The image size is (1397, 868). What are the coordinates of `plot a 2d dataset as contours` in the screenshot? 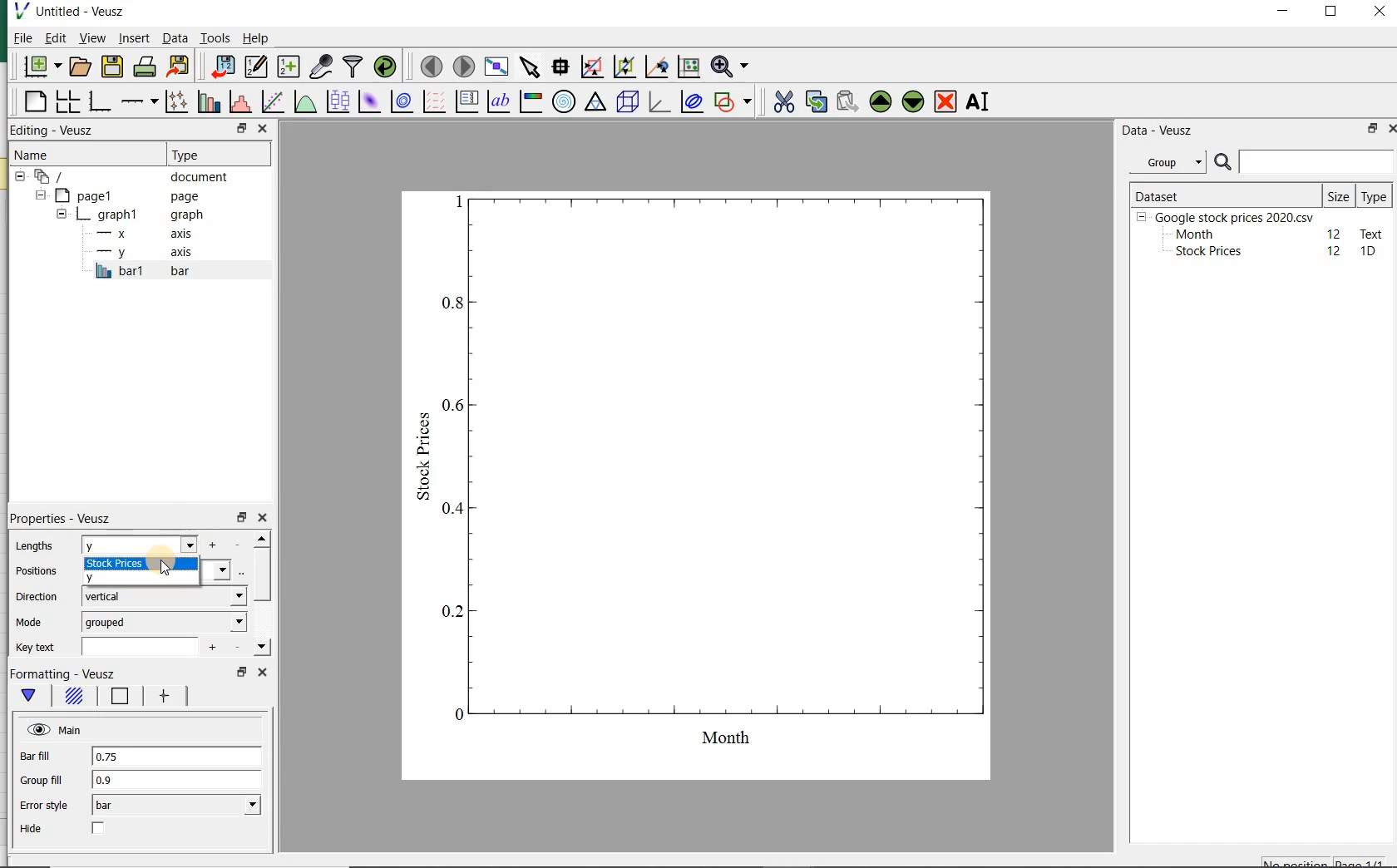 It's located at (399, 103).